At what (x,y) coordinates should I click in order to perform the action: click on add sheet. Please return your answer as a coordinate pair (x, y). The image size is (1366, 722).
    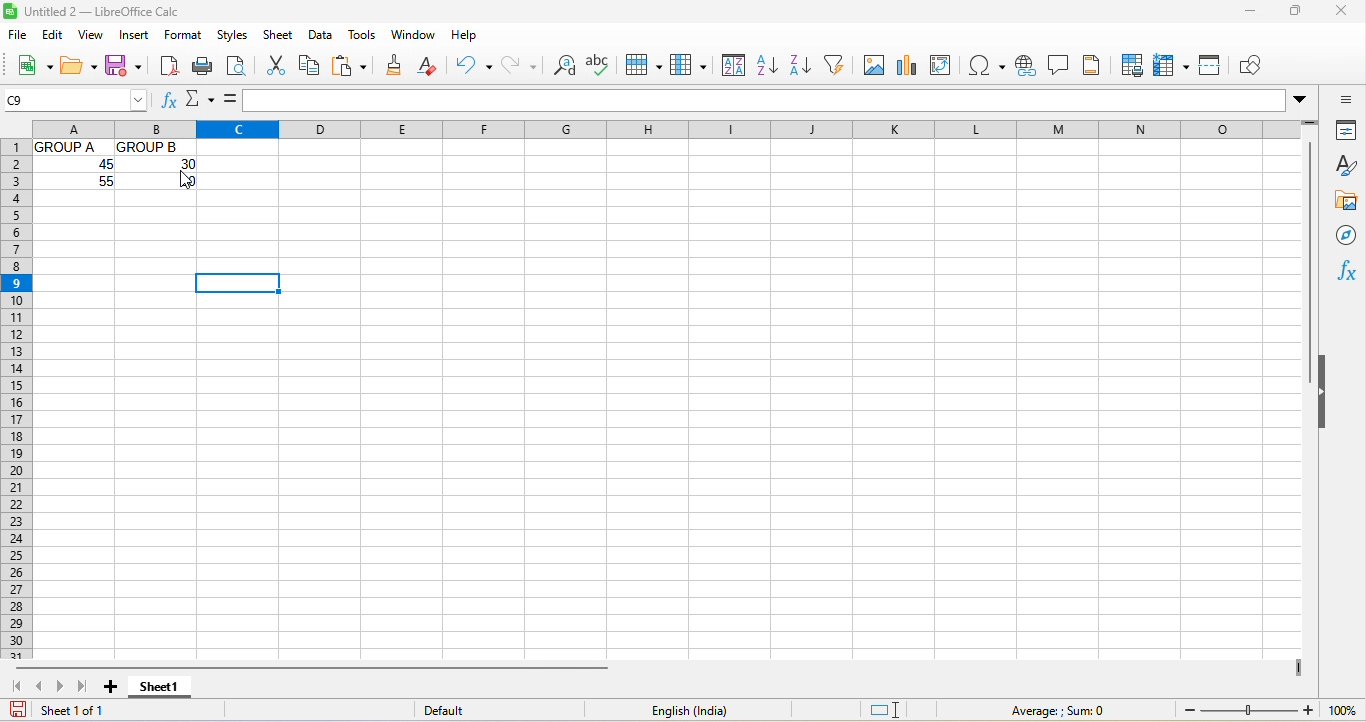
    Looking at the image, I should click on (111, 686).